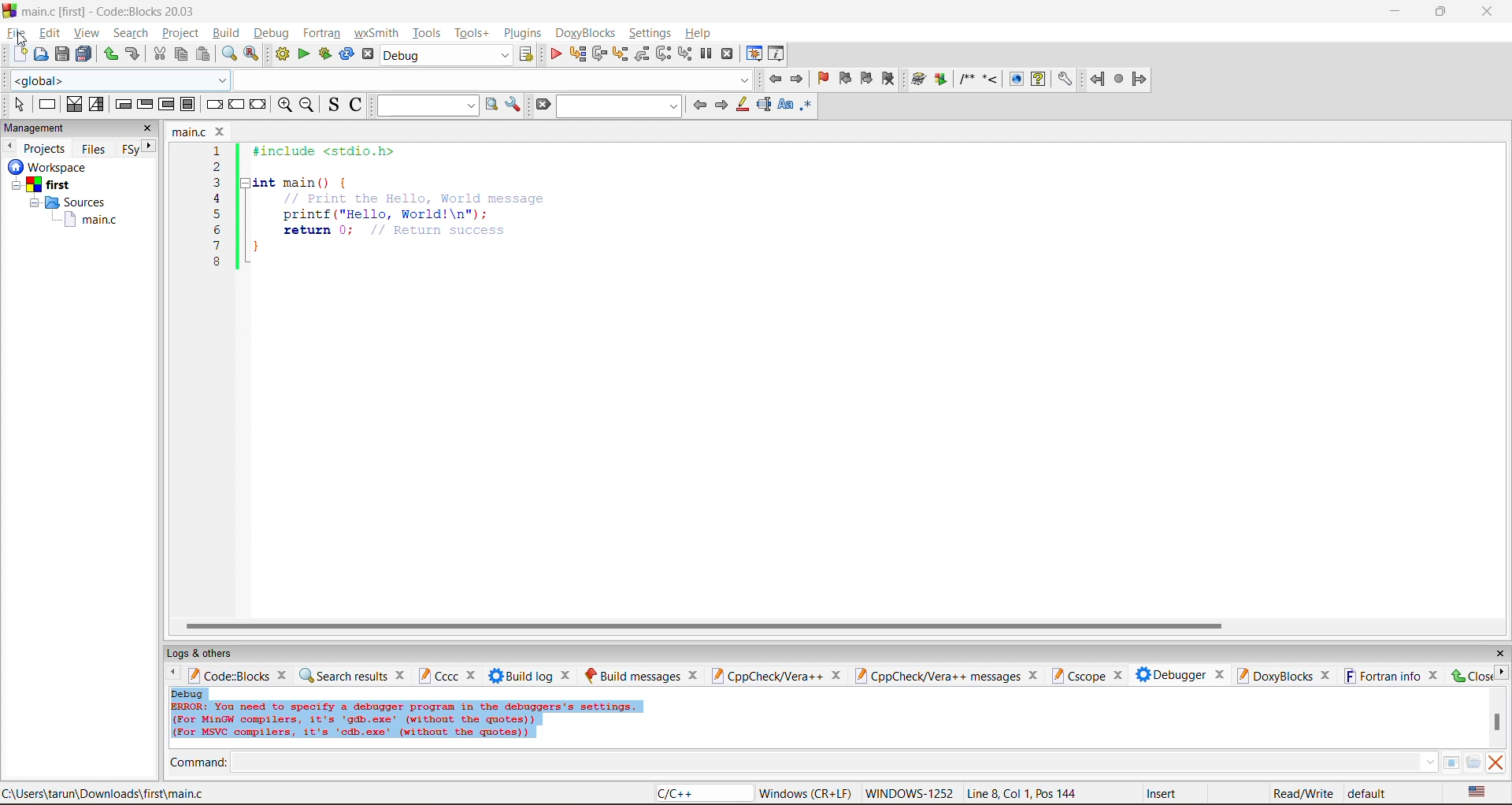  I want to click on use regex, so click(806, 108).